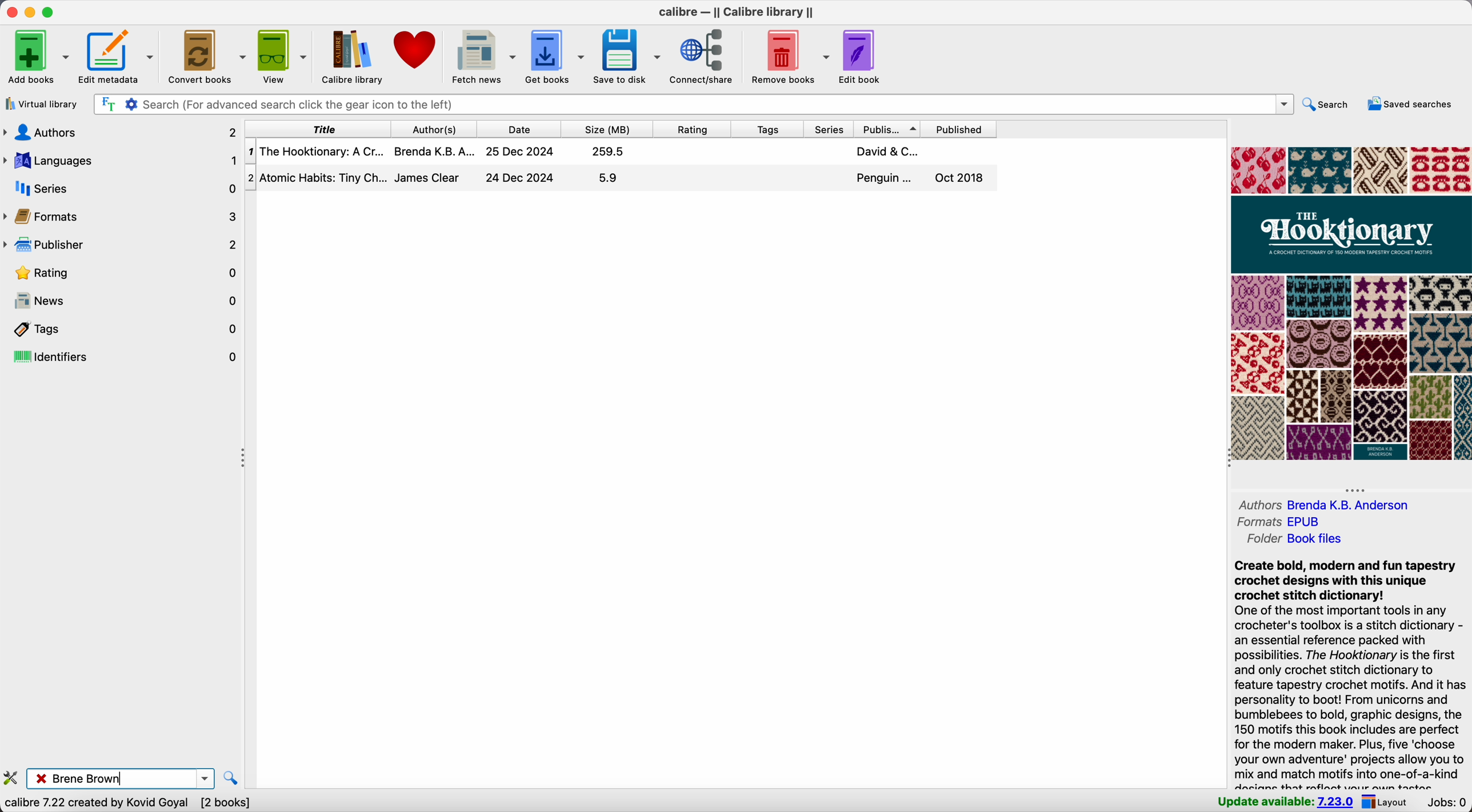  What do you see at coordinates (42, 105) in the screenshot?
I see `virtual library` at bounding box center [42, 105].